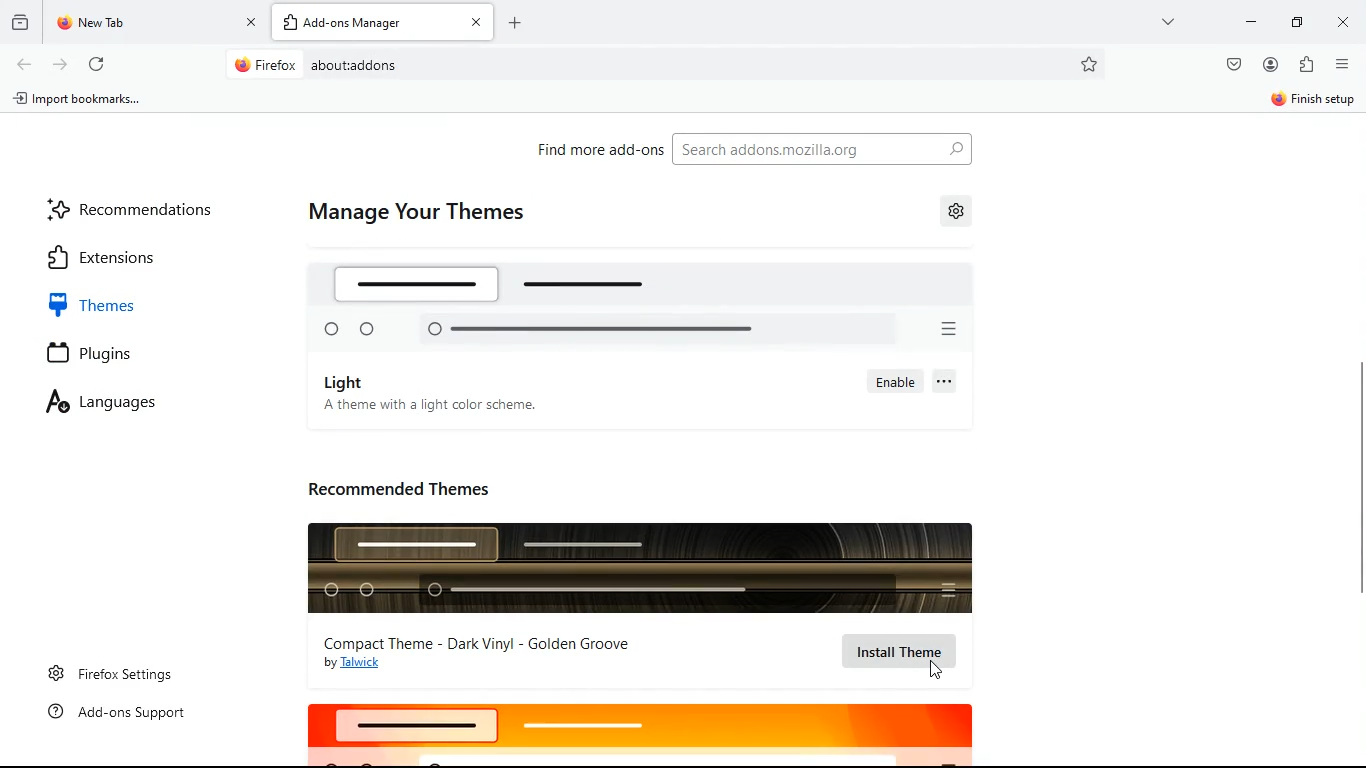  What do you see at coordinates (894, 382) in the screenshot?
I see `enable` at bounding box center [894, 382].